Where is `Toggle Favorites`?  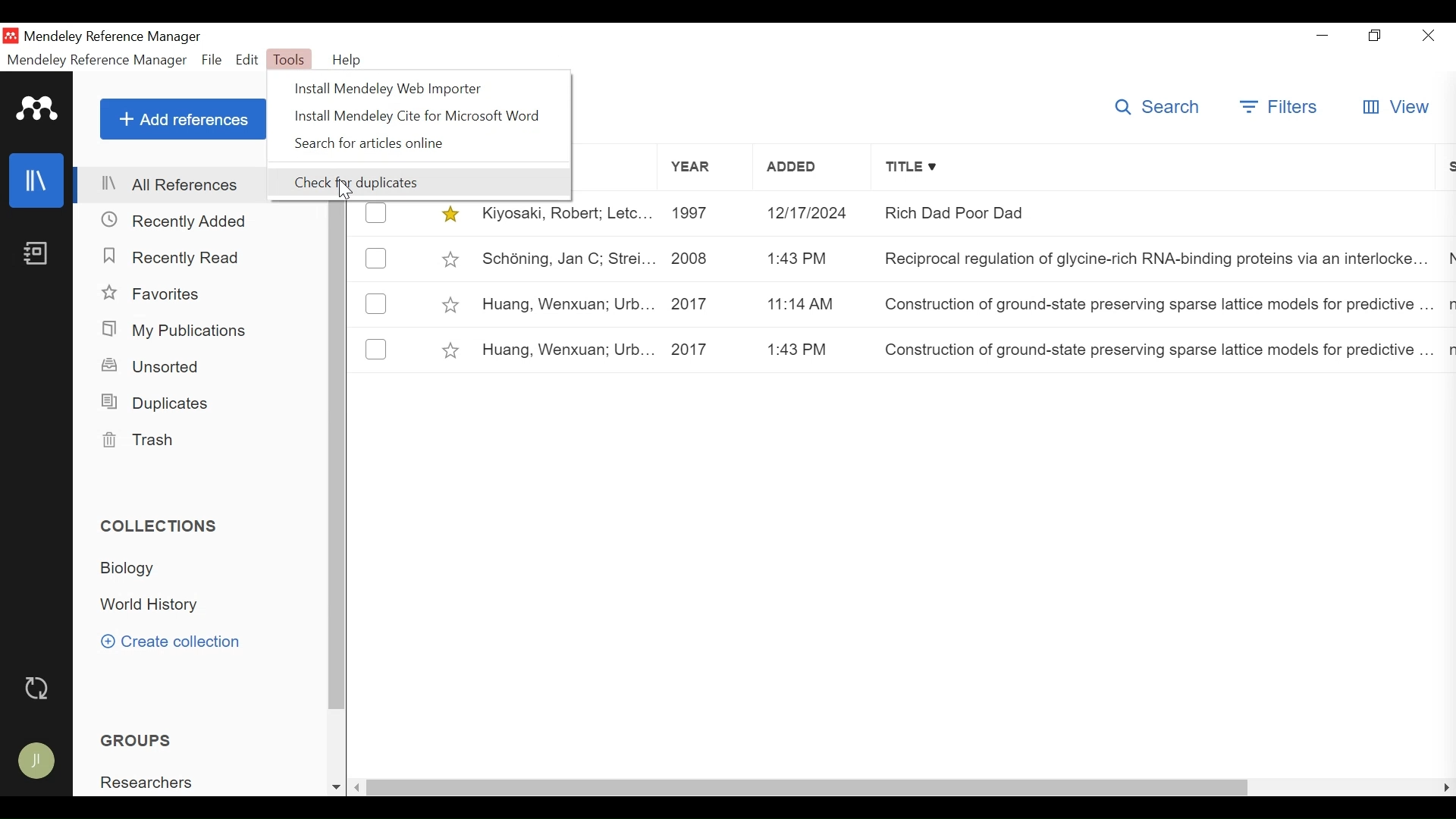 Toggle Favorites is located at coordinates (449, 303).